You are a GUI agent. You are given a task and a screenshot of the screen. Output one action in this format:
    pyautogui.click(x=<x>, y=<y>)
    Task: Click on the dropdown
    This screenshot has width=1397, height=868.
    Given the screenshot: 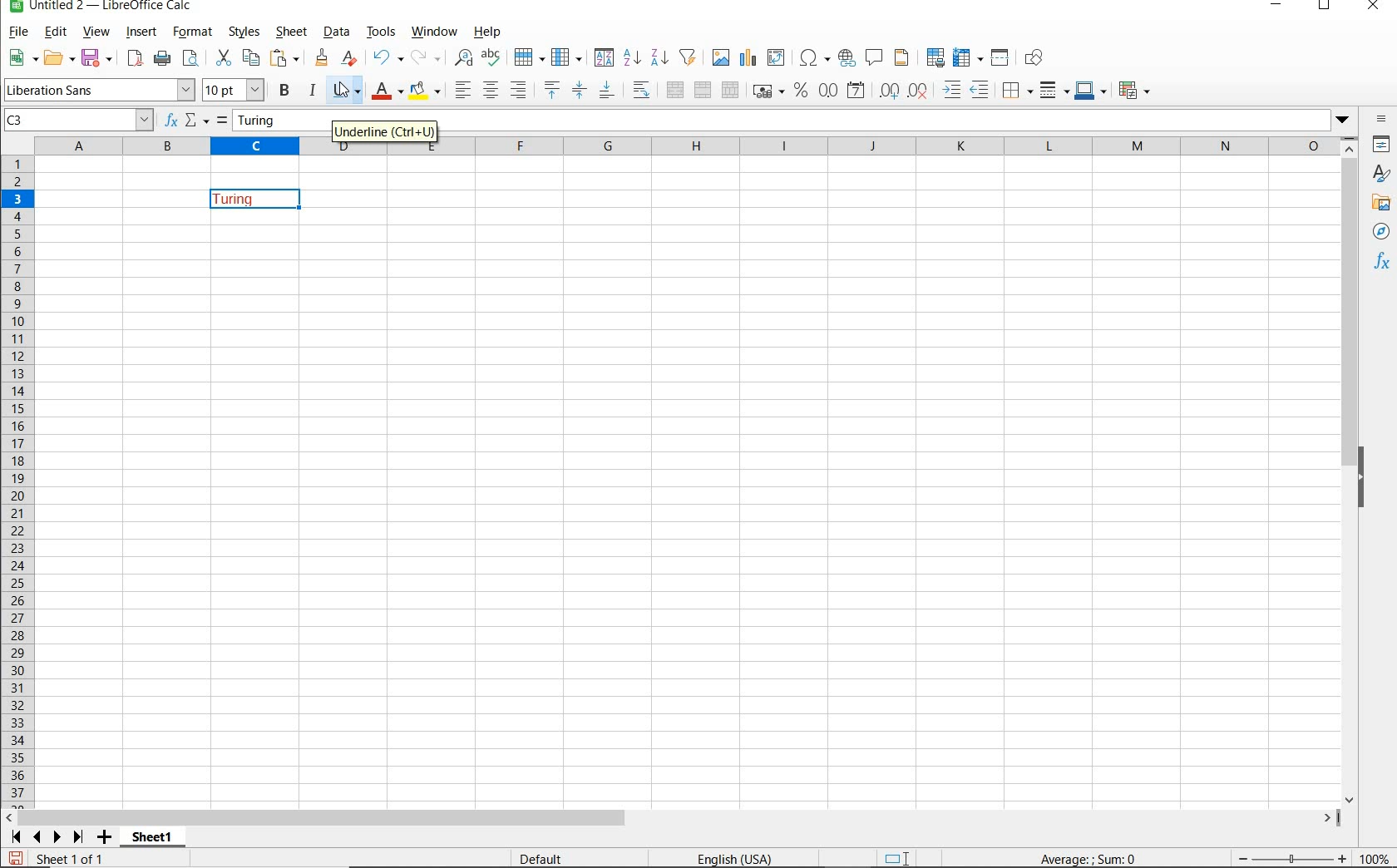 What is the action you would take?
    pyautogui.click(x=1350, y=121)
    